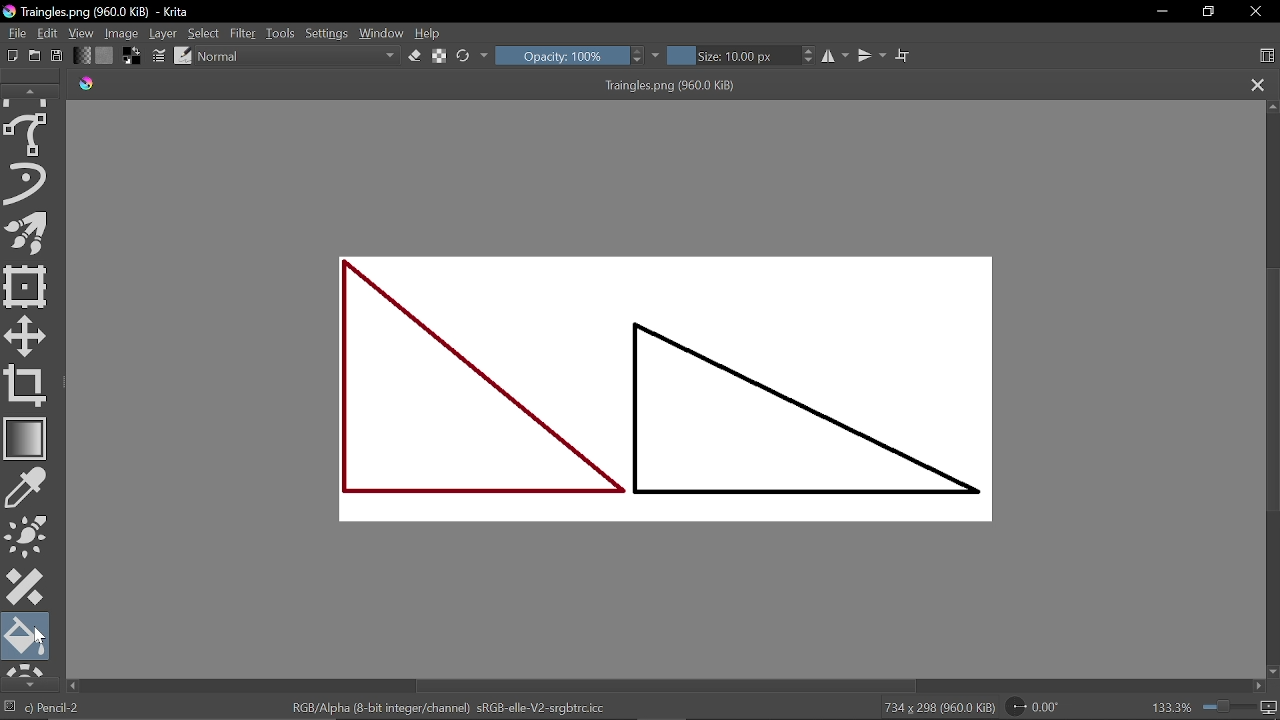 This screenshot has width=1280, height=720. What do you see at coordinates (674, 391) in the screenshot?
I see `Current diagram` at bounding box center [674, 391].